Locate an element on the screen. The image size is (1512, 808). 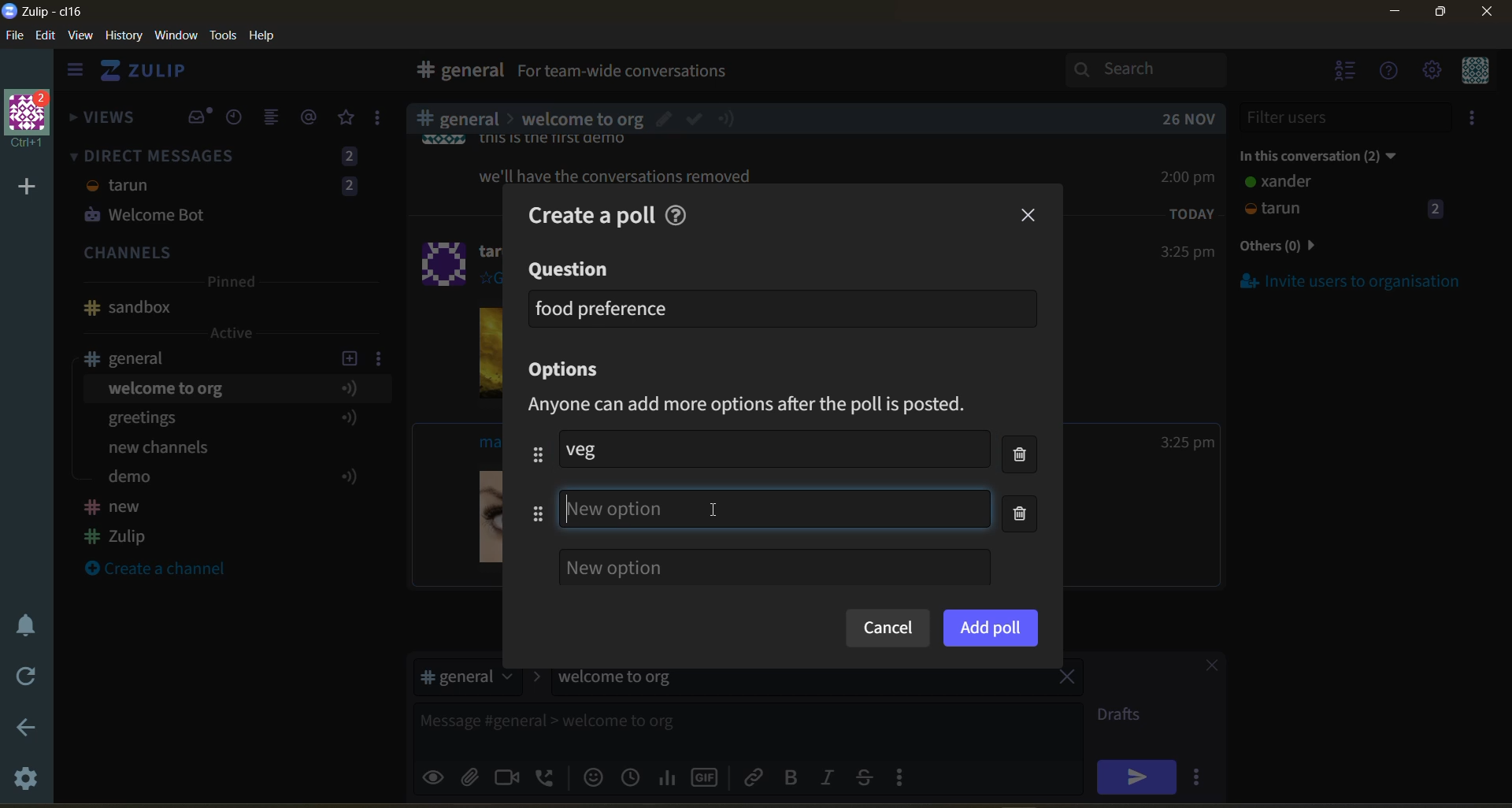
go back is located at coordinates (24, 728).